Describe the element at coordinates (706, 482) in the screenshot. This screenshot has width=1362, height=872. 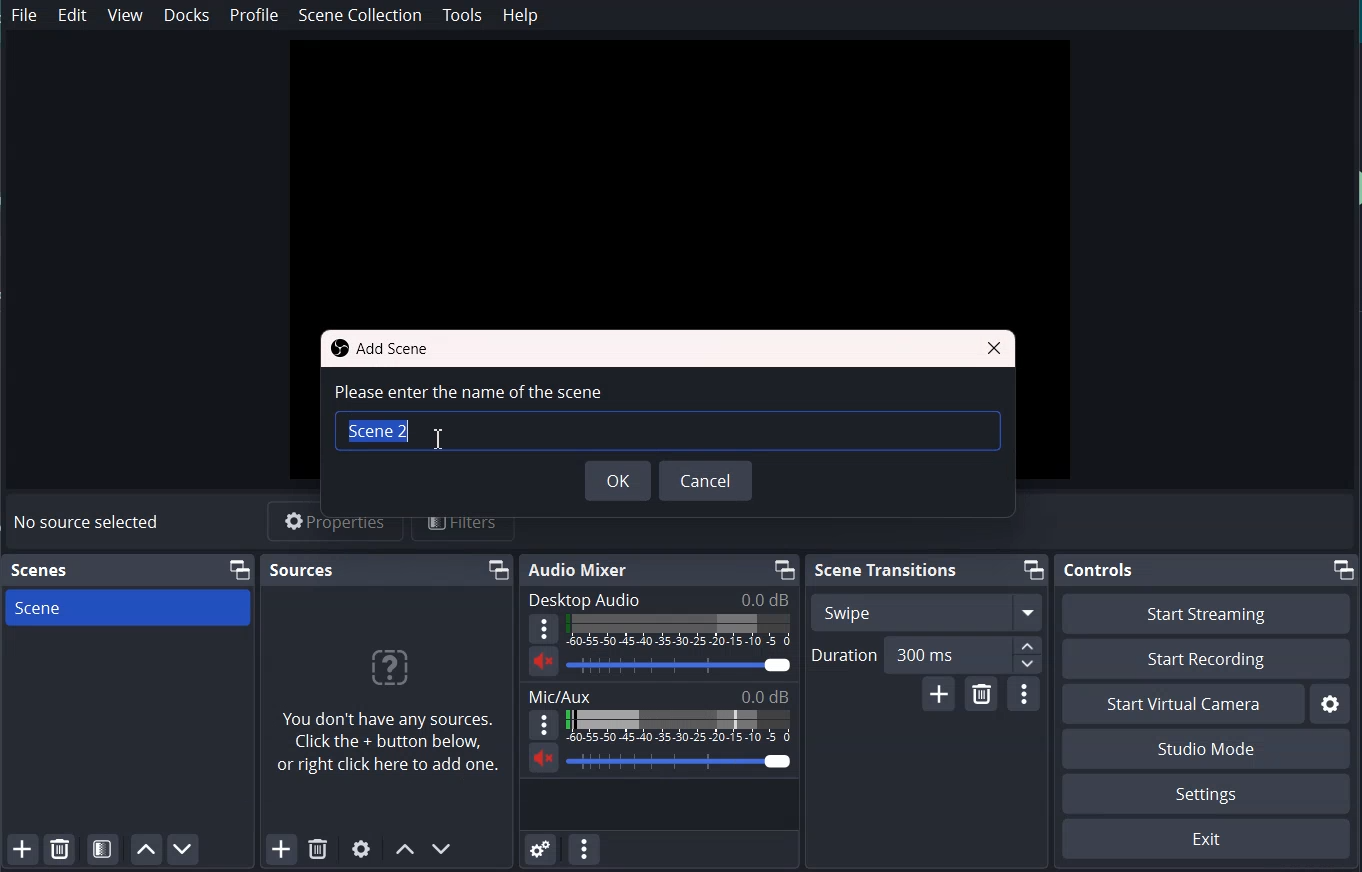
I see `Cancel` at that location.